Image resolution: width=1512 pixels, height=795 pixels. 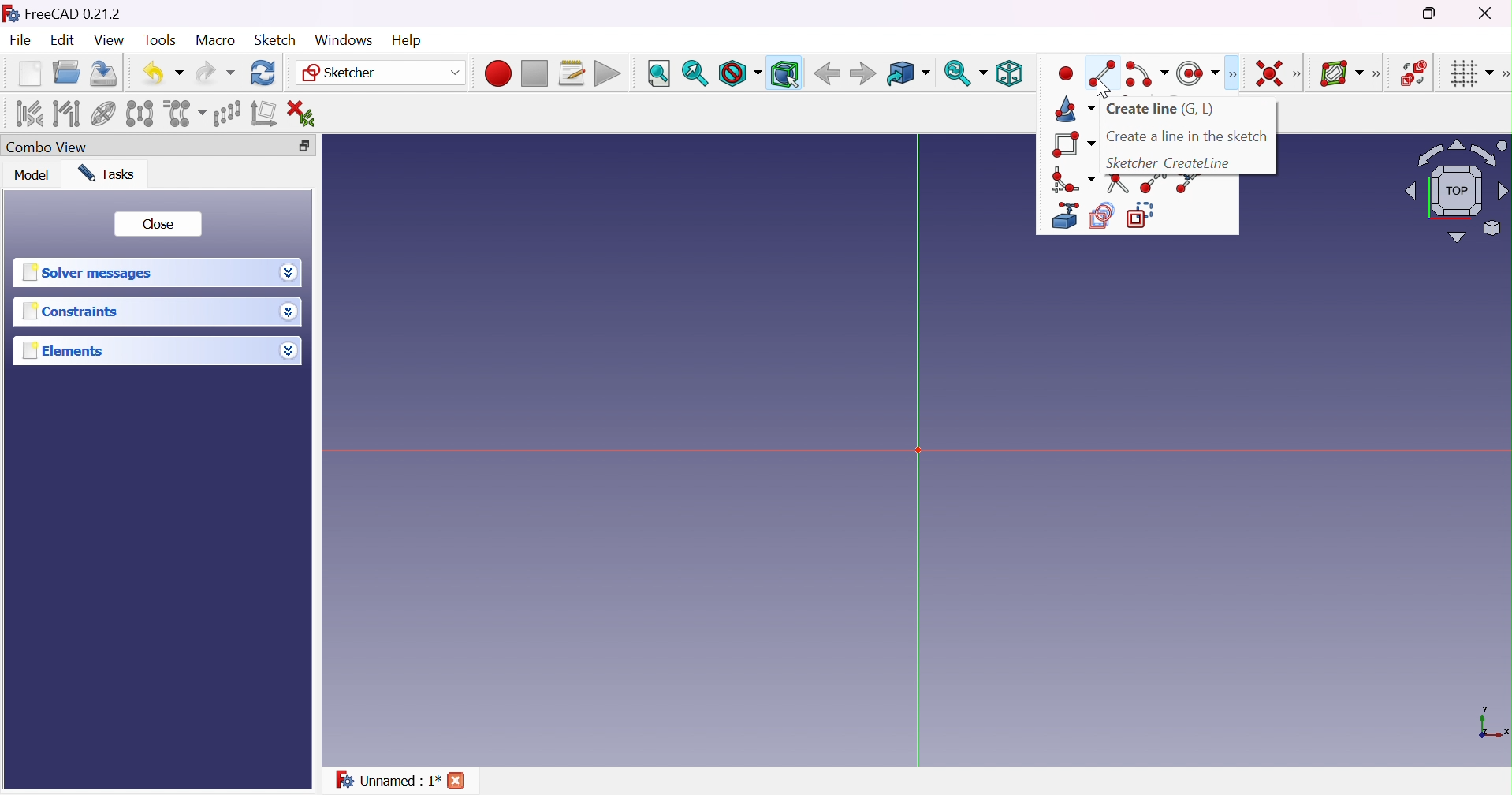 What do you see at coordinates (1102, 68) in the screenshot?
I see `create line` at bounding box center [1102, 68].